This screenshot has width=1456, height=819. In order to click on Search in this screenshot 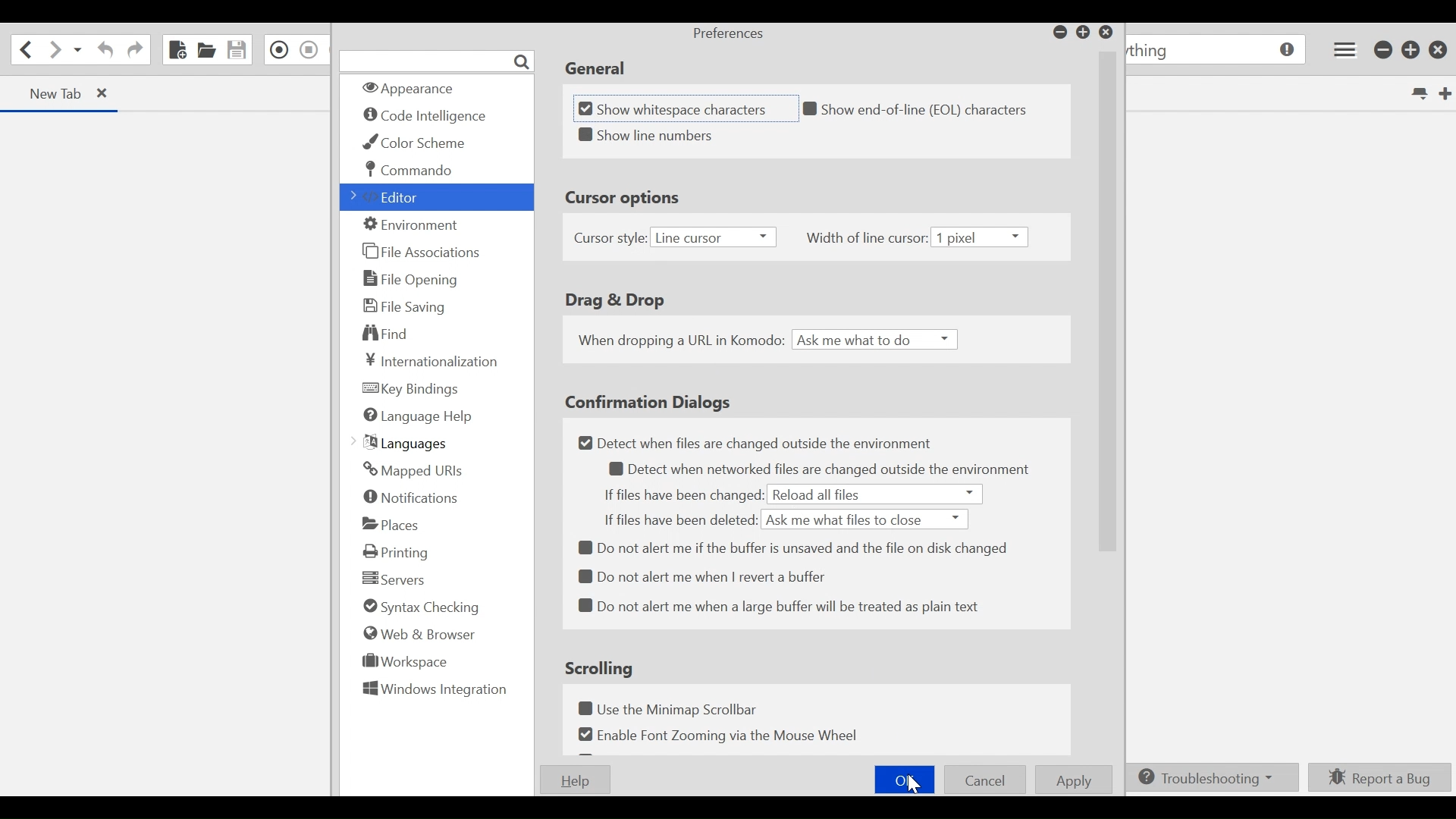, I will do `click(438, 59)`.